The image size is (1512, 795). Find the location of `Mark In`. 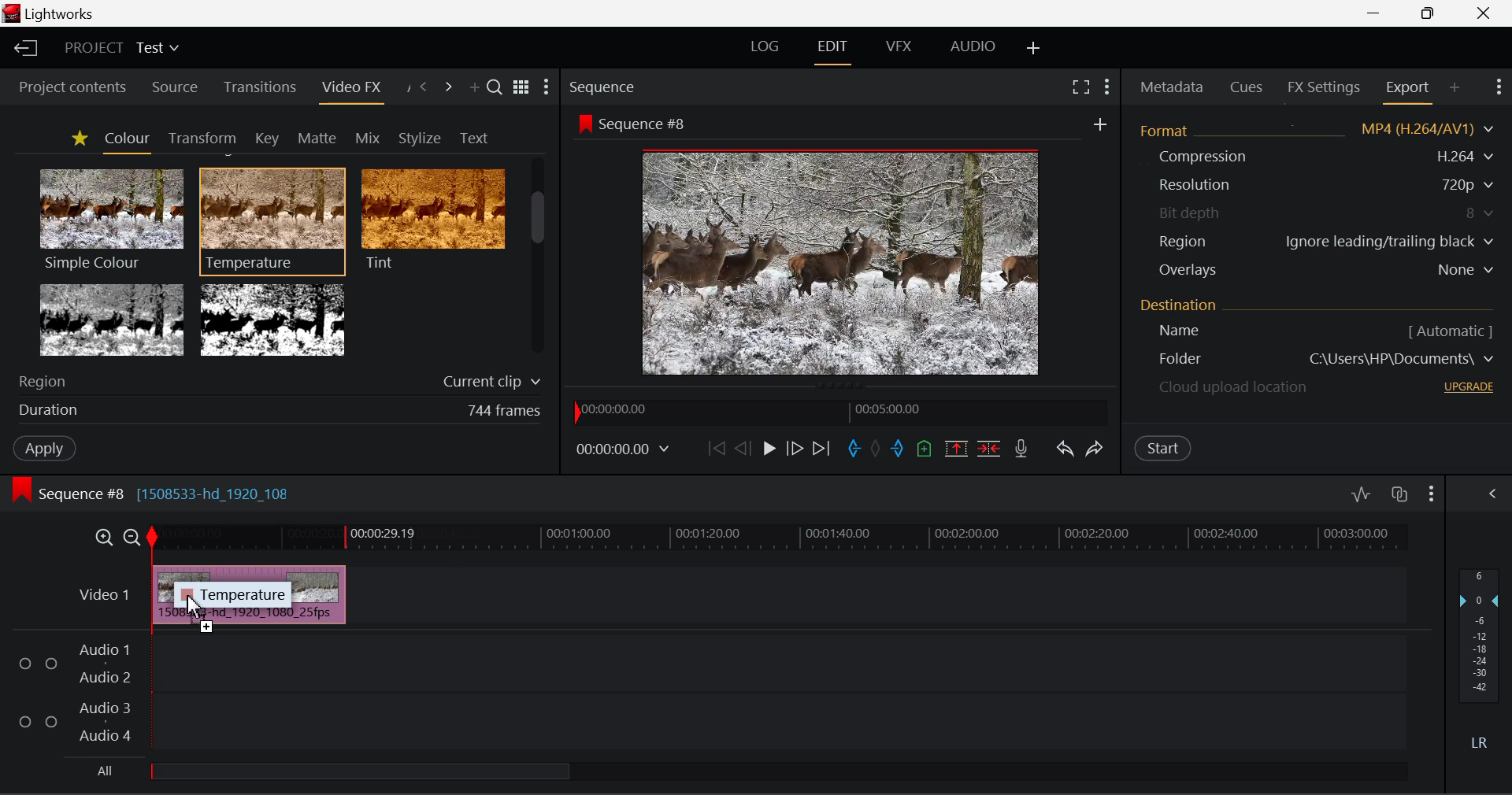

Mark In is located at coordinates (852, 449).